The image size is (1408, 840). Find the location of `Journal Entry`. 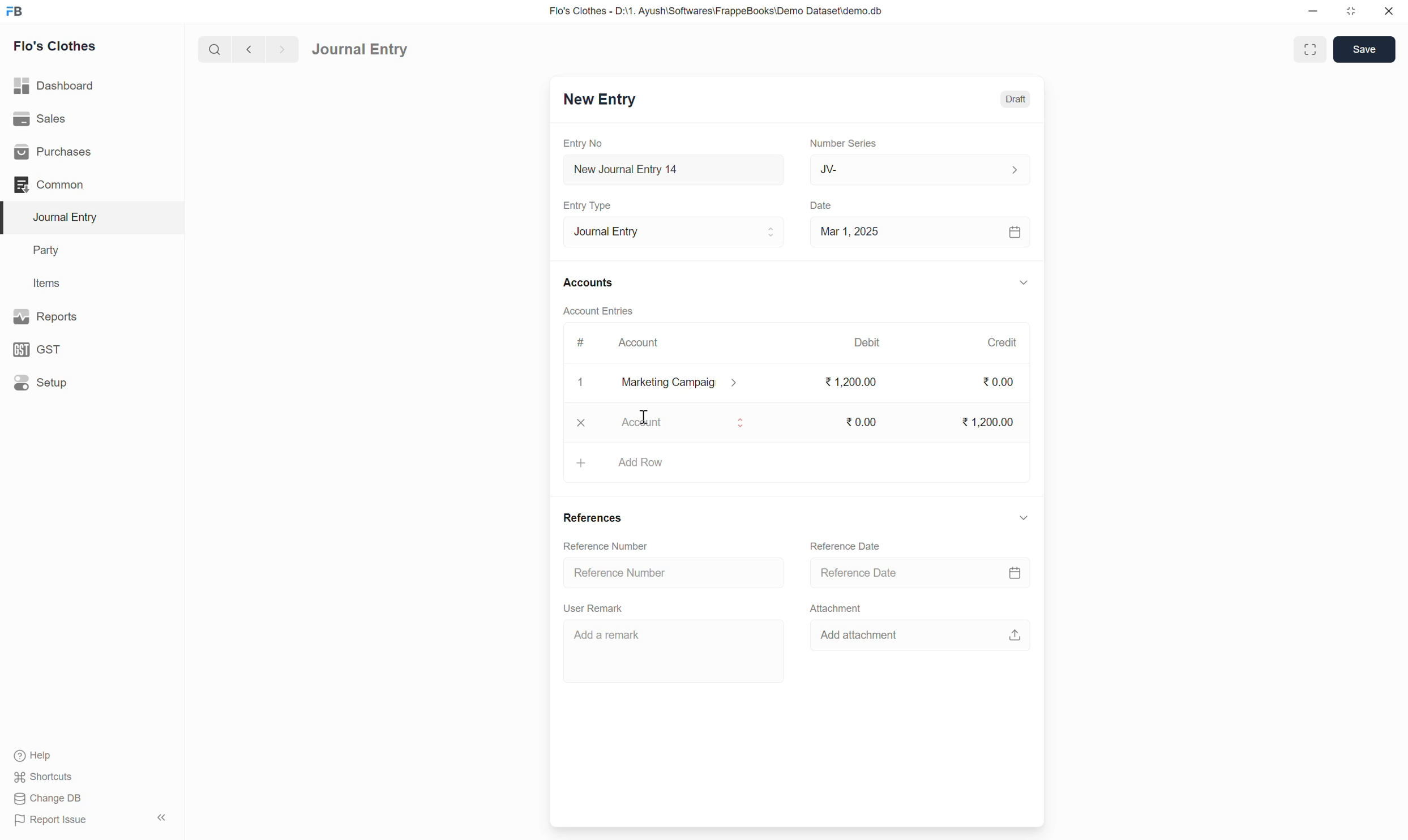

Journal Entry is located at coordinates (360, 50).